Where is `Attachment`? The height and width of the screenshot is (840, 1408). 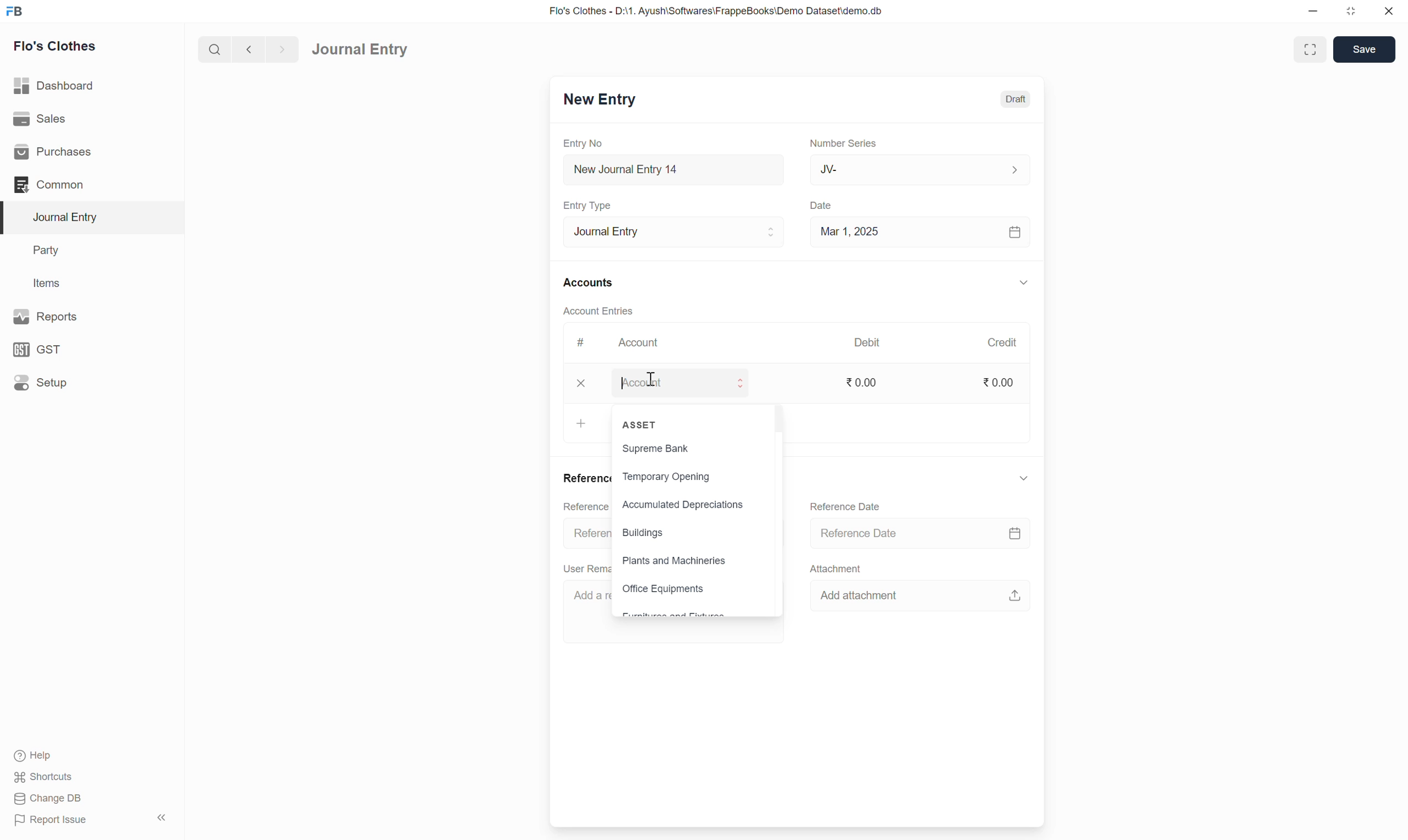
Attachment is located at coordinates (837, 568).